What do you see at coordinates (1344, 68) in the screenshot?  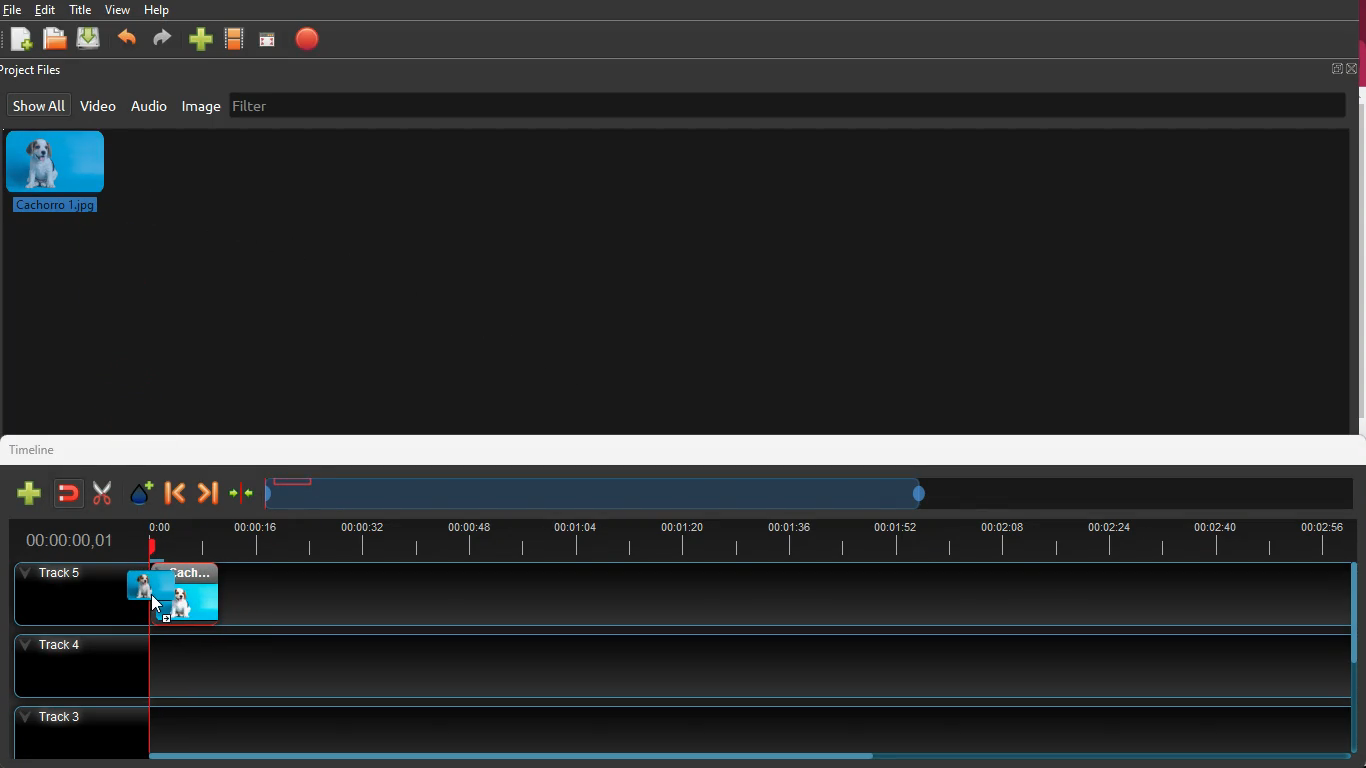 I see `full screen` at bounding box center [1344, 68].